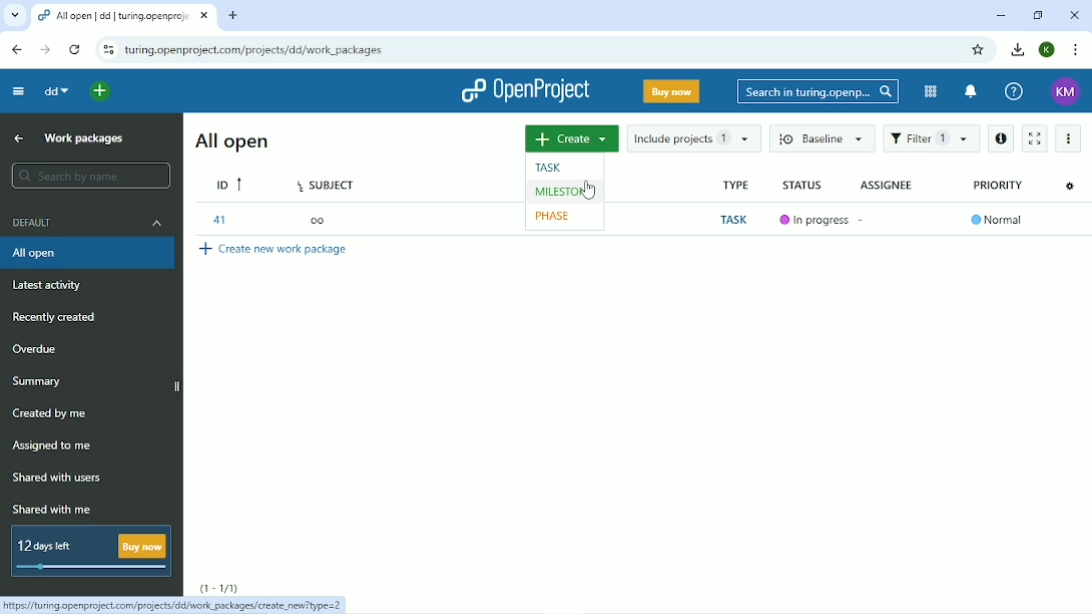  What do you see at coordinates (220, 587) in the screenshot?
I see `(1-1/1)` at bounding box center [220, 587].